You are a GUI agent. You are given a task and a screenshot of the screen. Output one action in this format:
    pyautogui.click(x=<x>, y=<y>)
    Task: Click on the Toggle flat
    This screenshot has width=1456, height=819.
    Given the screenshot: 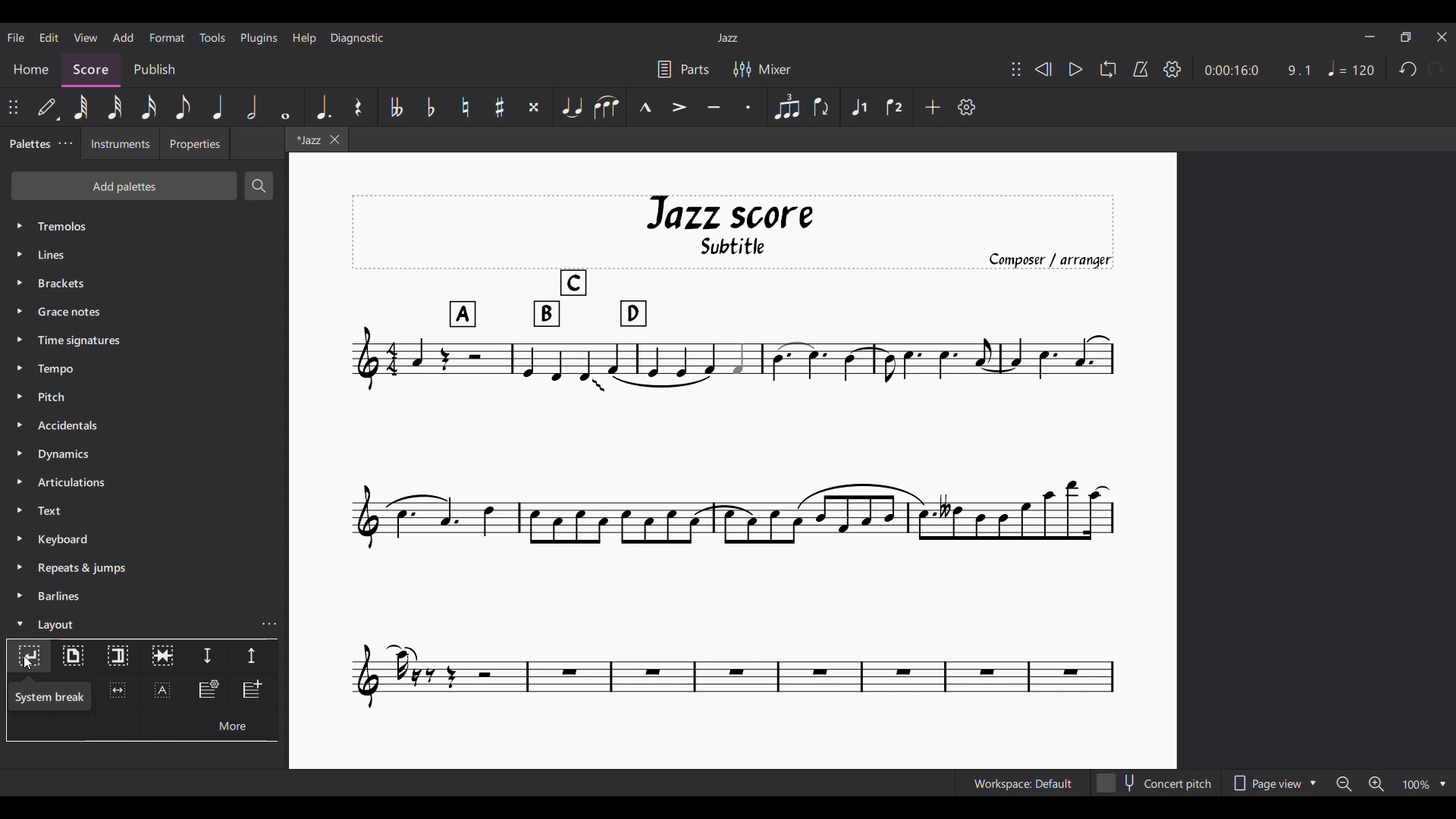 What is the action you would take?
    pyautogui.click(x=431, y=107)
    